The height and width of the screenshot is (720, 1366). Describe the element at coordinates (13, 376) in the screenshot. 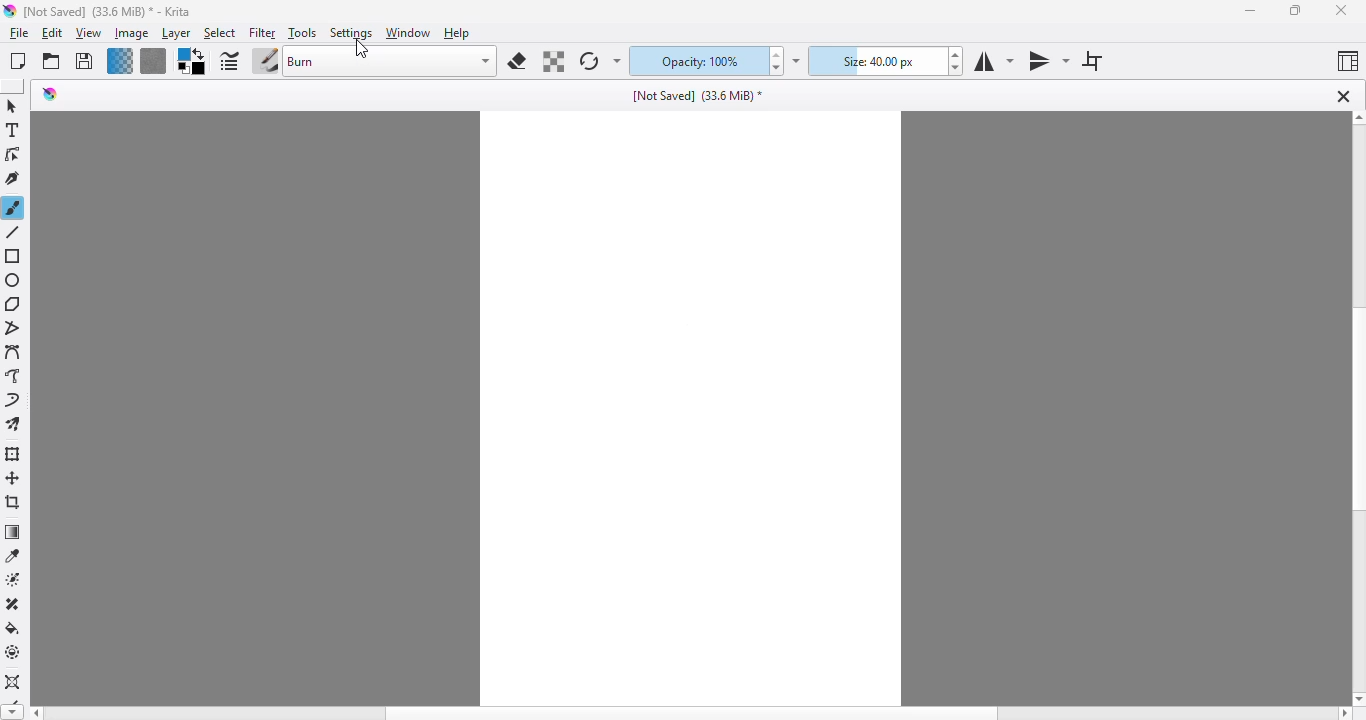

I see `freehand path tool` at that location.